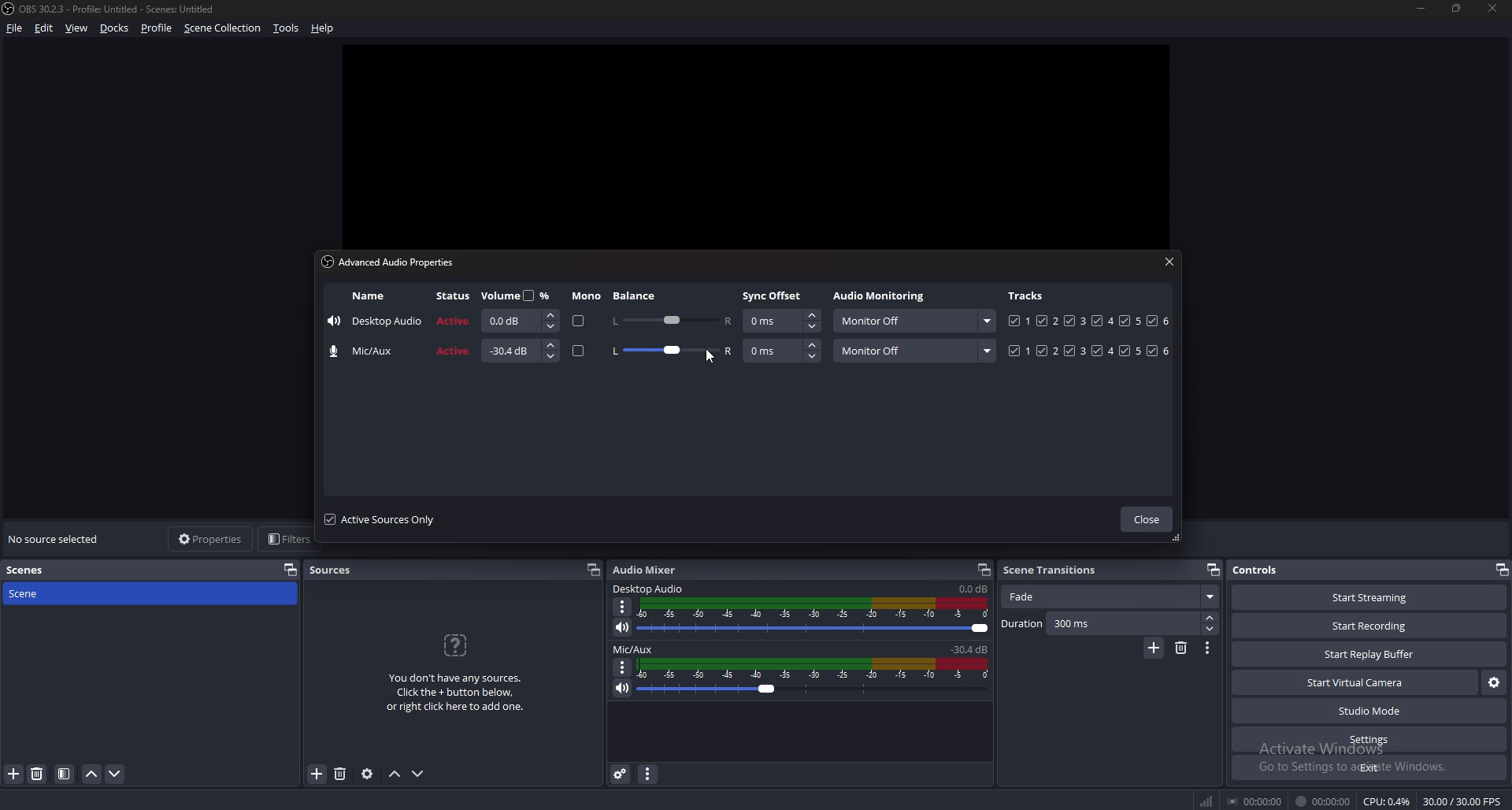 The width and height of the screenshot is (1512, 810). Describe the element at coordinates (317, 774) in the screenshot. I see `add source` at that location.